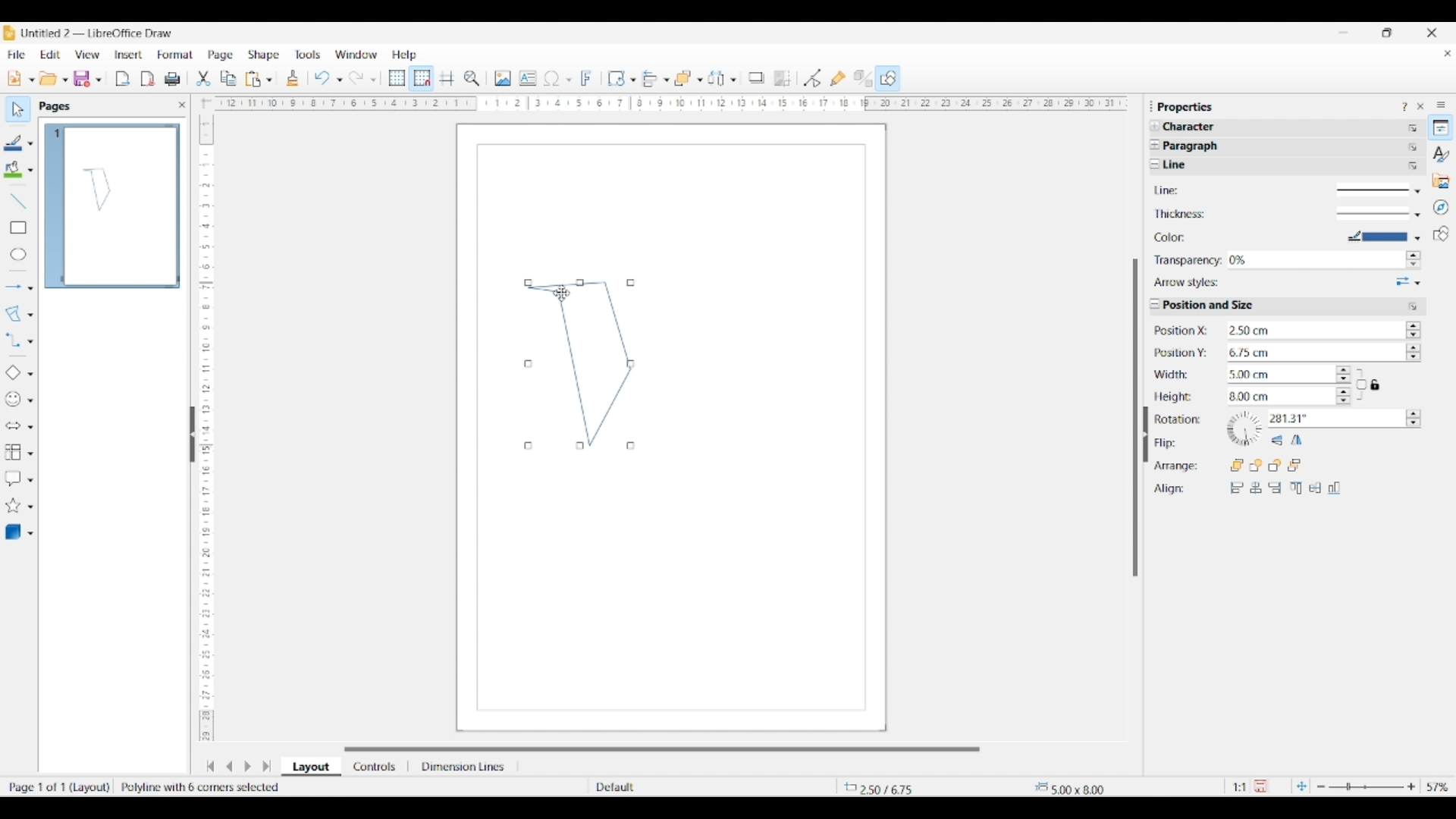  Describe the element at coordinates (30, 144) in the screenshot. I see `Line color options` at that location.